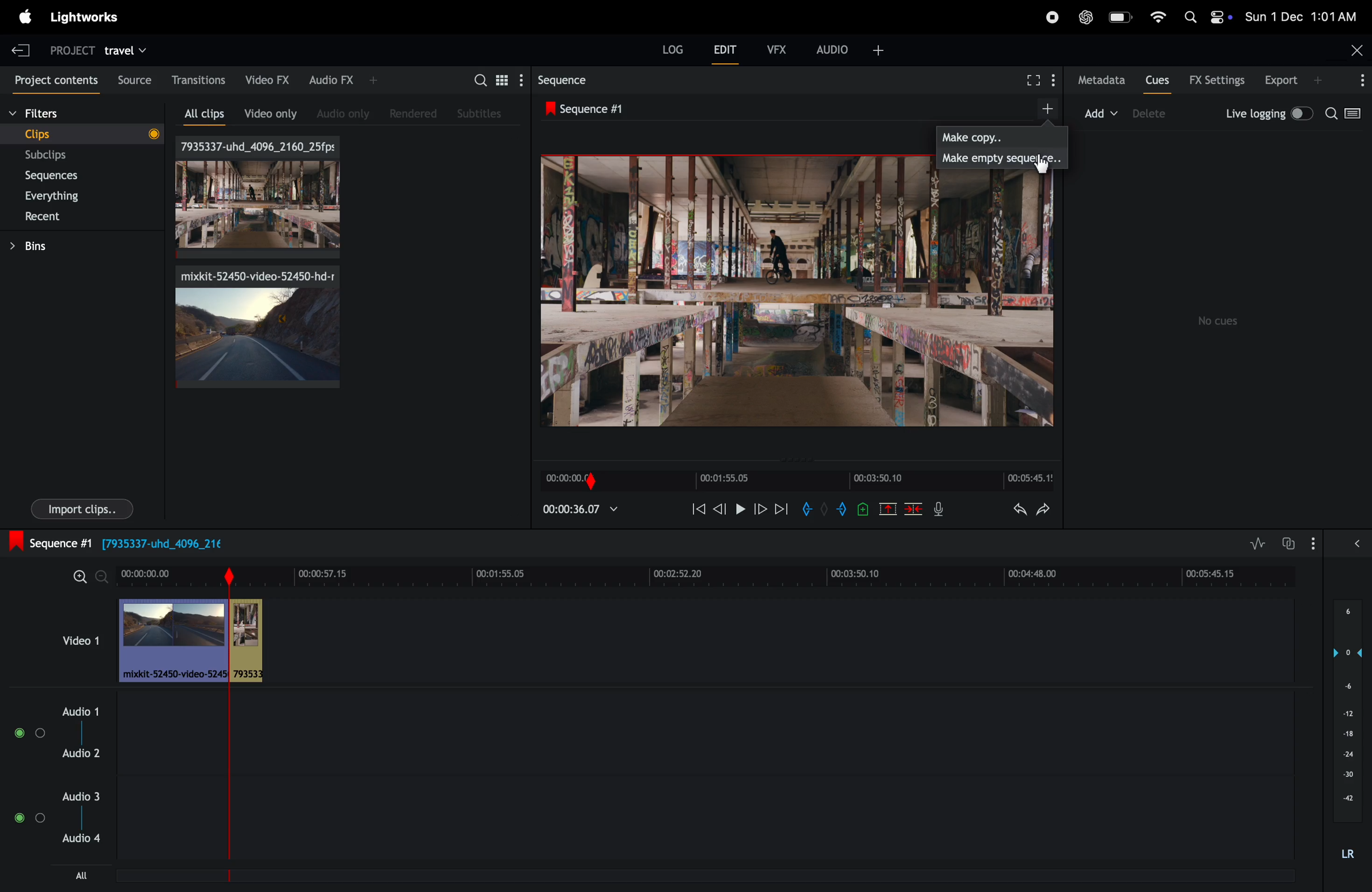 This screenshot has width=1372, height=892. Describe the element at coordinates (1036, 80) in the screenshot. I see `fullscreen` at that location.